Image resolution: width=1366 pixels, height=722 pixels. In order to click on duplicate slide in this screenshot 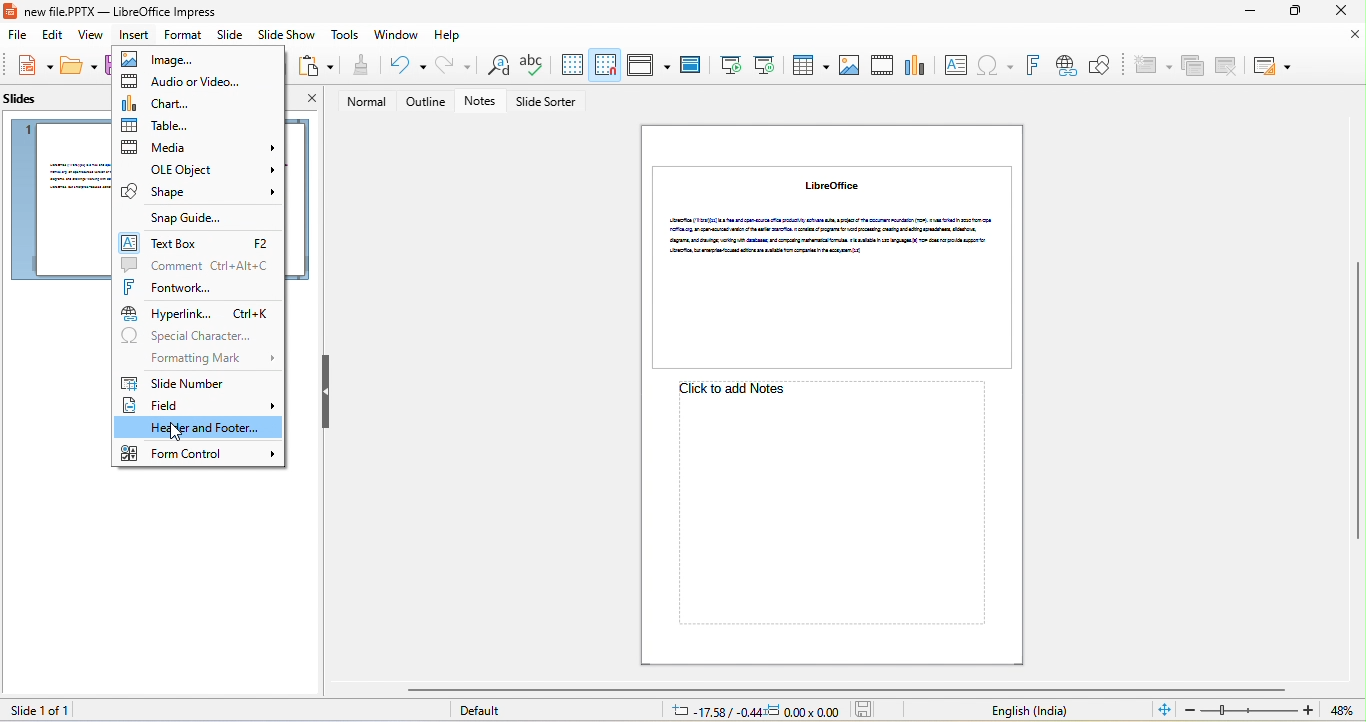, I will do `click(1193, 67)`.